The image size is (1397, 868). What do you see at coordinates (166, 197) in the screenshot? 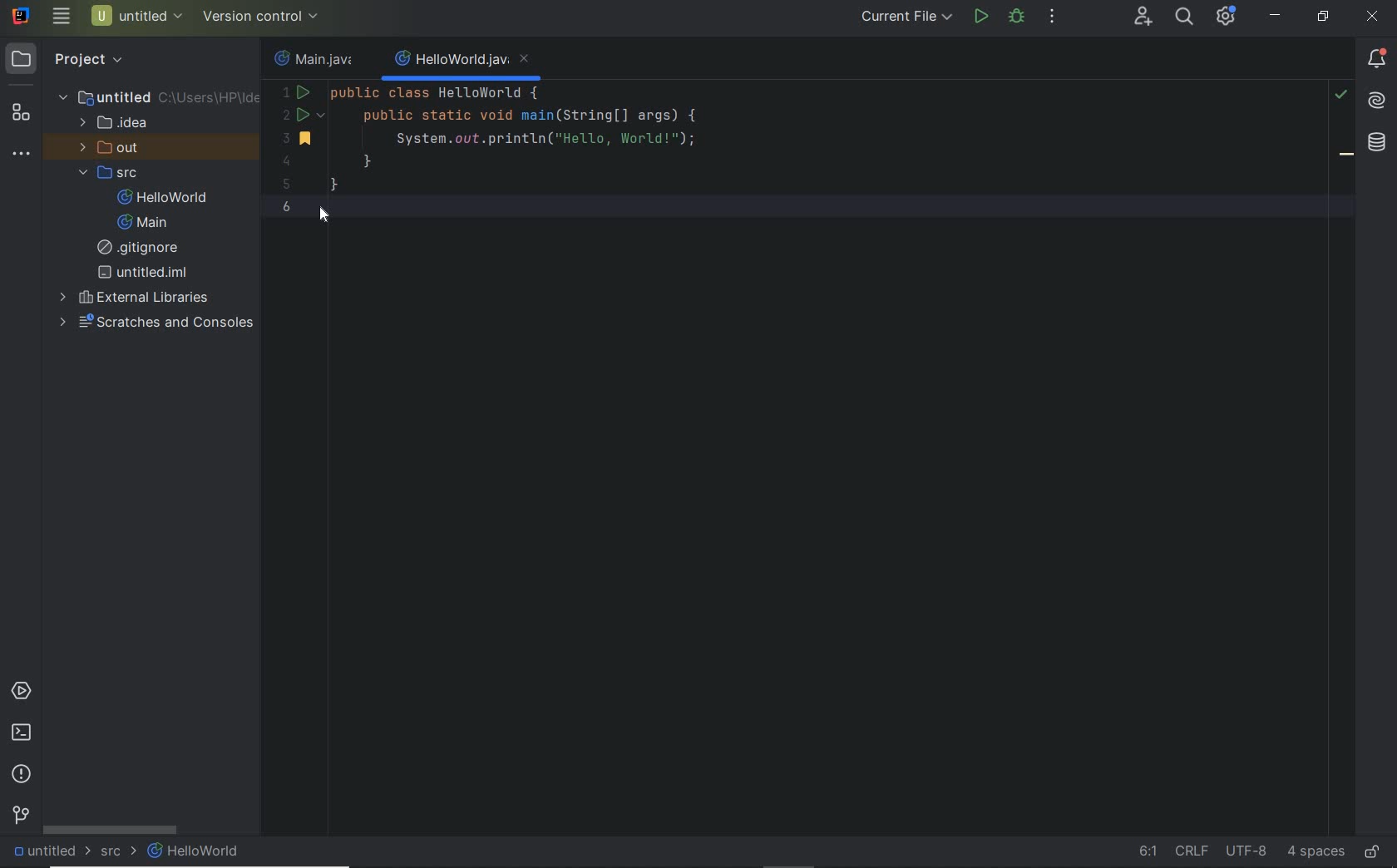
I see `HelloWorld` at bounding box center [166, 197].